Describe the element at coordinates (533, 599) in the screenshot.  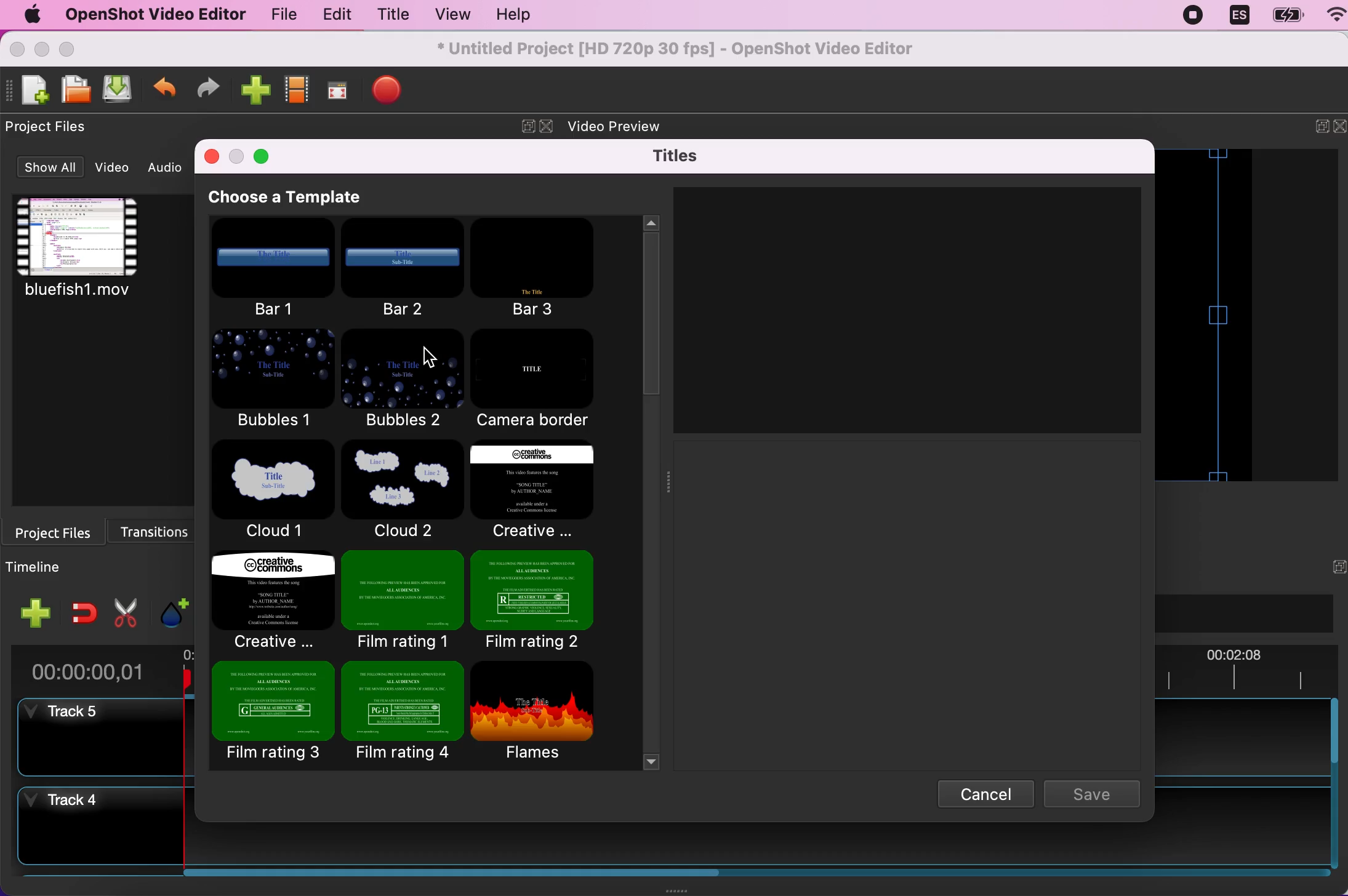
I see `film rating 2` at that location.